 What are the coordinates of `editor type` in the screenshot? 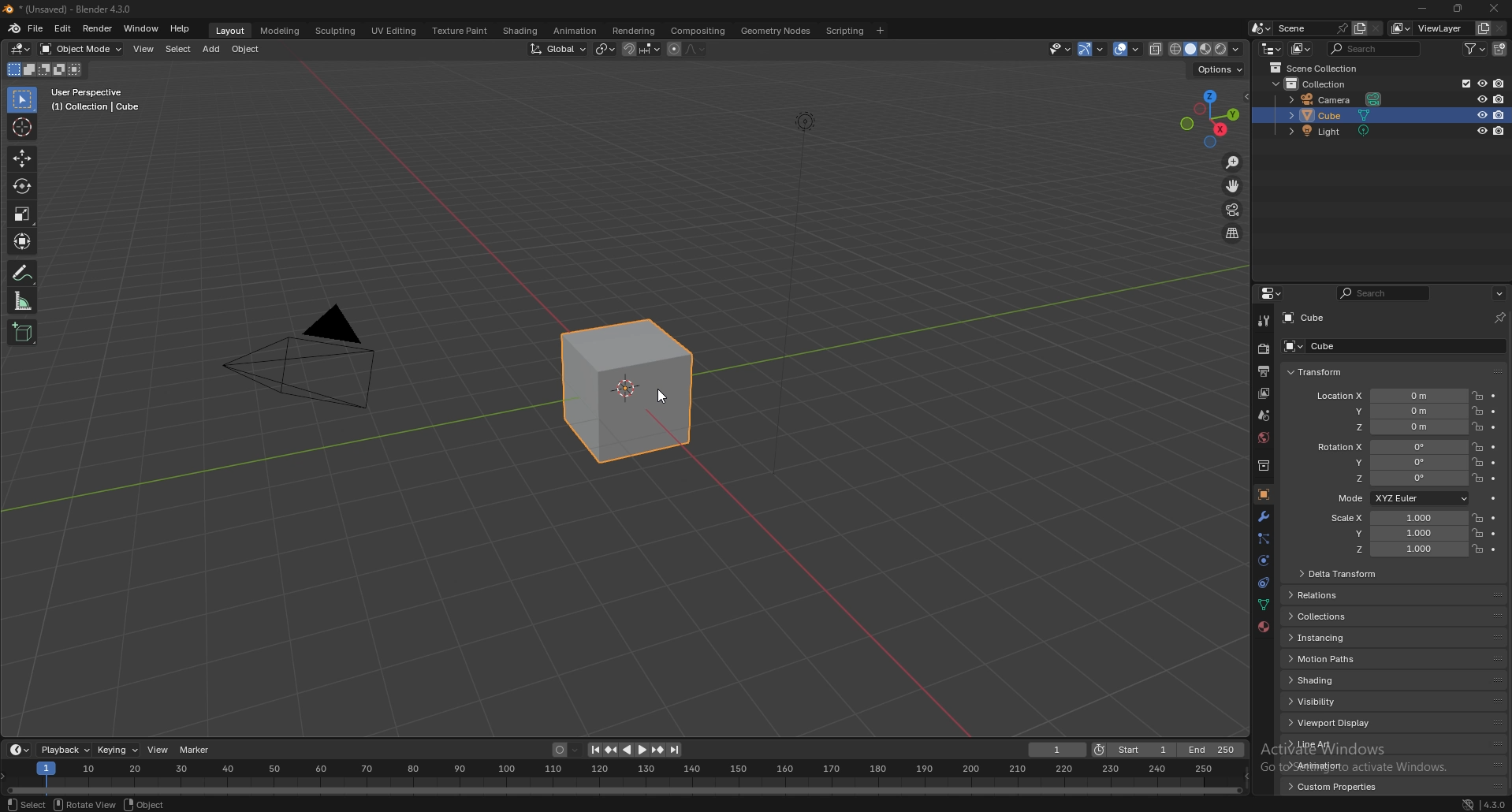 It's located at (1272, 49).